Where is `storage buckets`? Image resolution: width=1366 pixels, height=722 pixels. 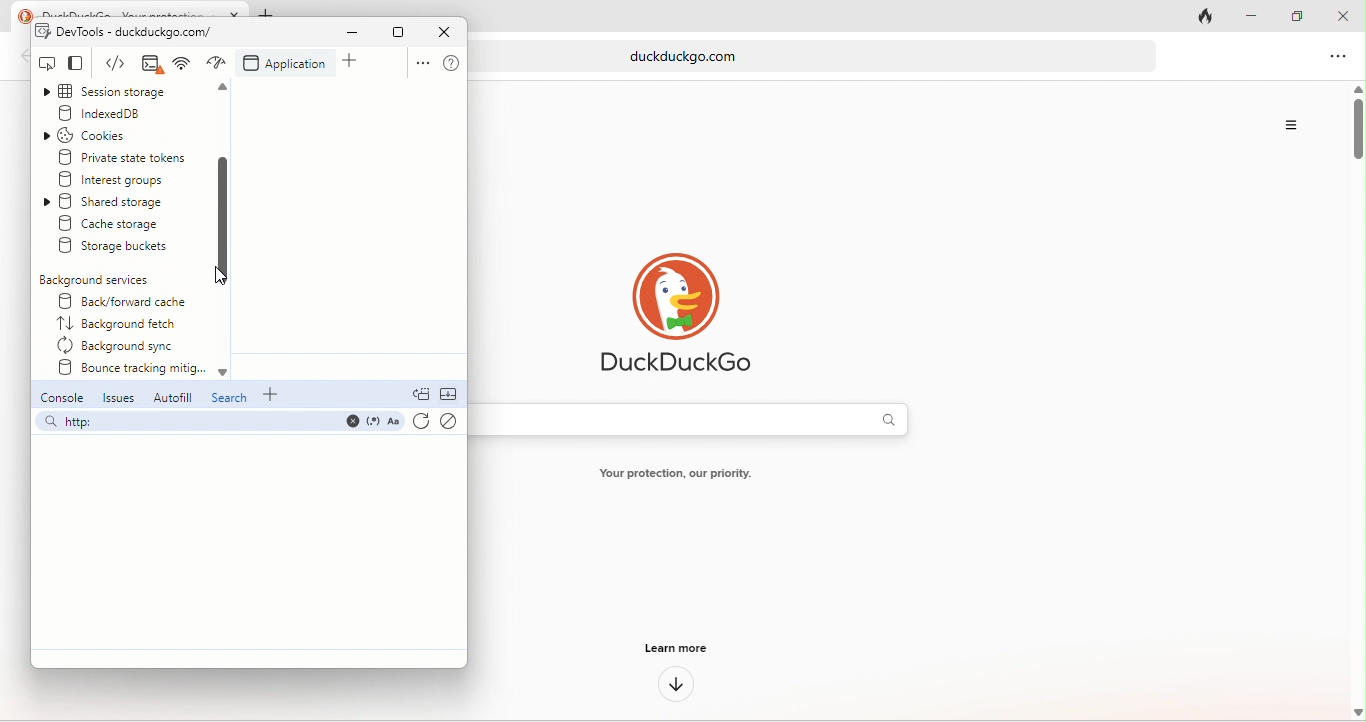 storage buckets is located at coordinates (117, 248).